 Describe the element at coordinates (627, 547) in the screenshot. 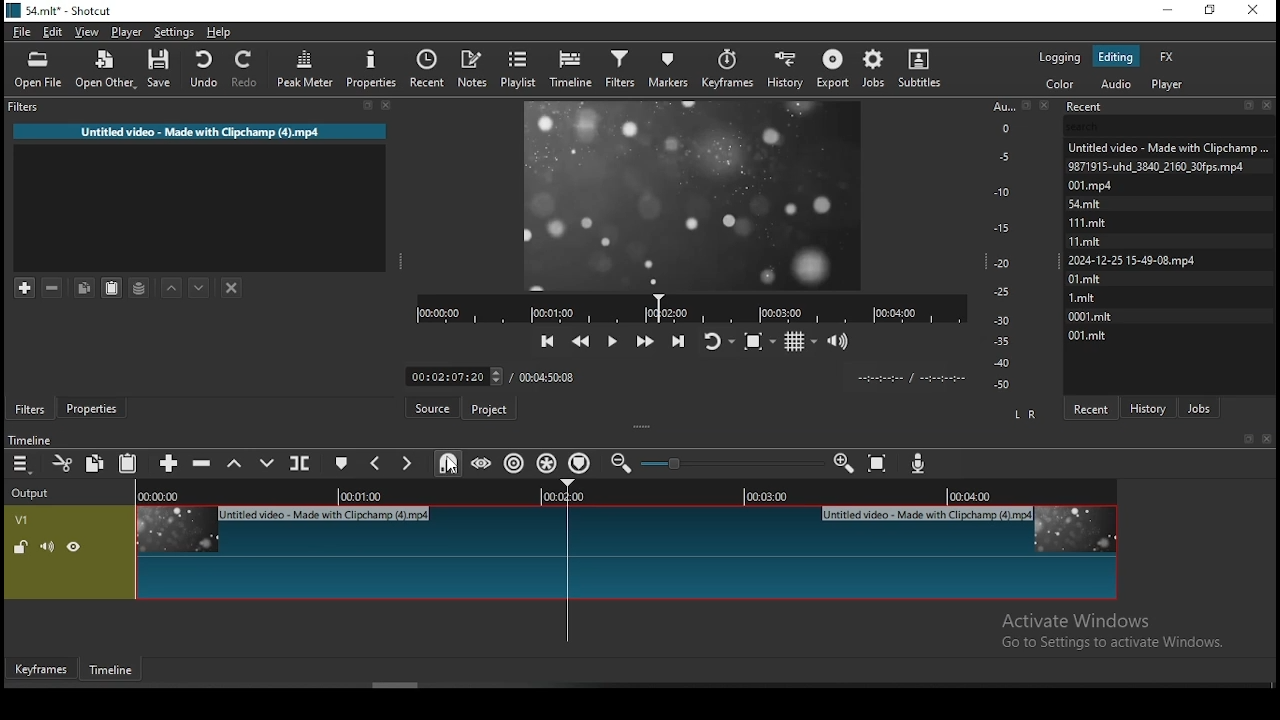

I see `video track` at that location.